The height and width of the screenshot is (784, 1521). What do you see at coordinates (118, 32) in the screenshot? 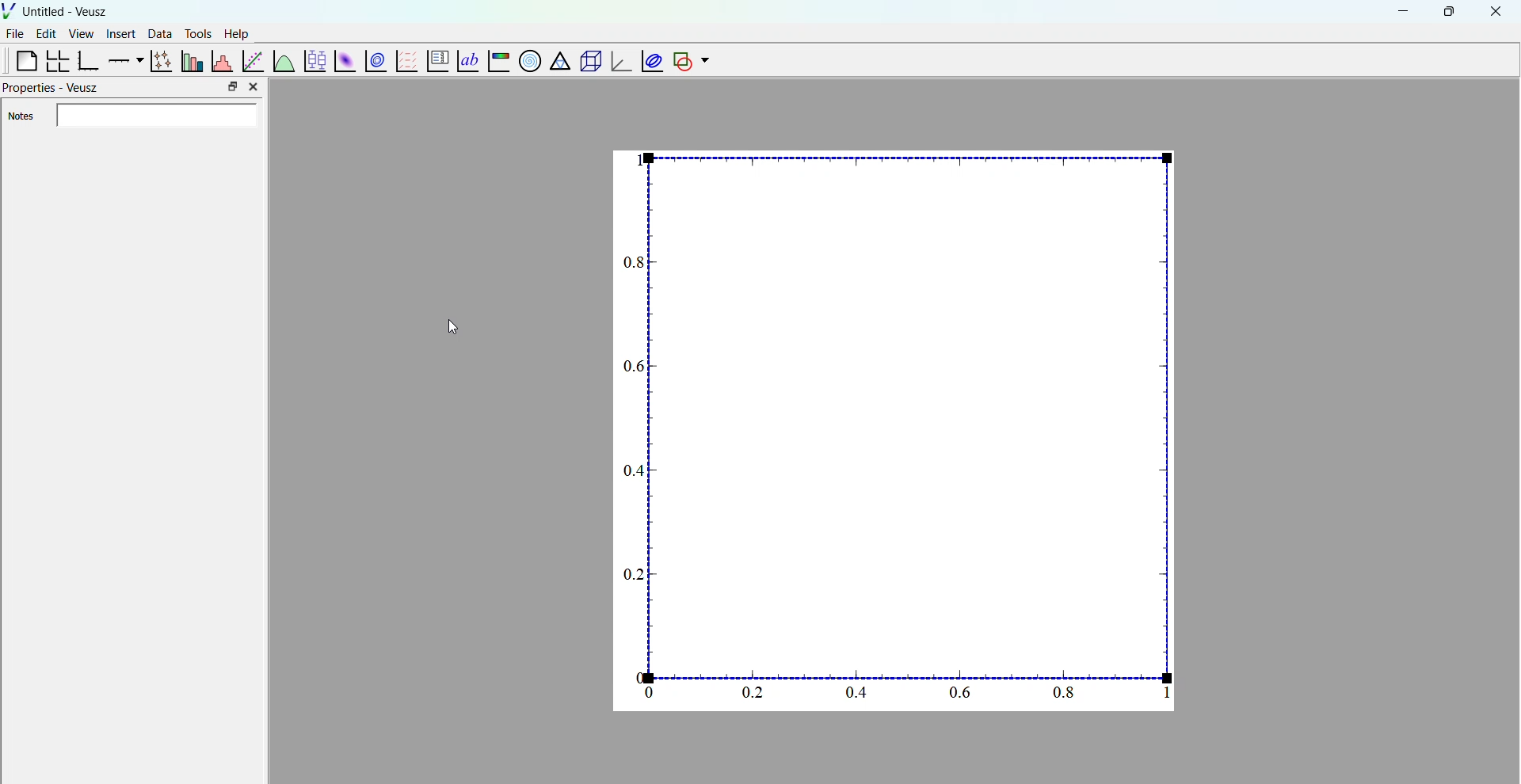
I see `insert` at bounding box center [118, 32].